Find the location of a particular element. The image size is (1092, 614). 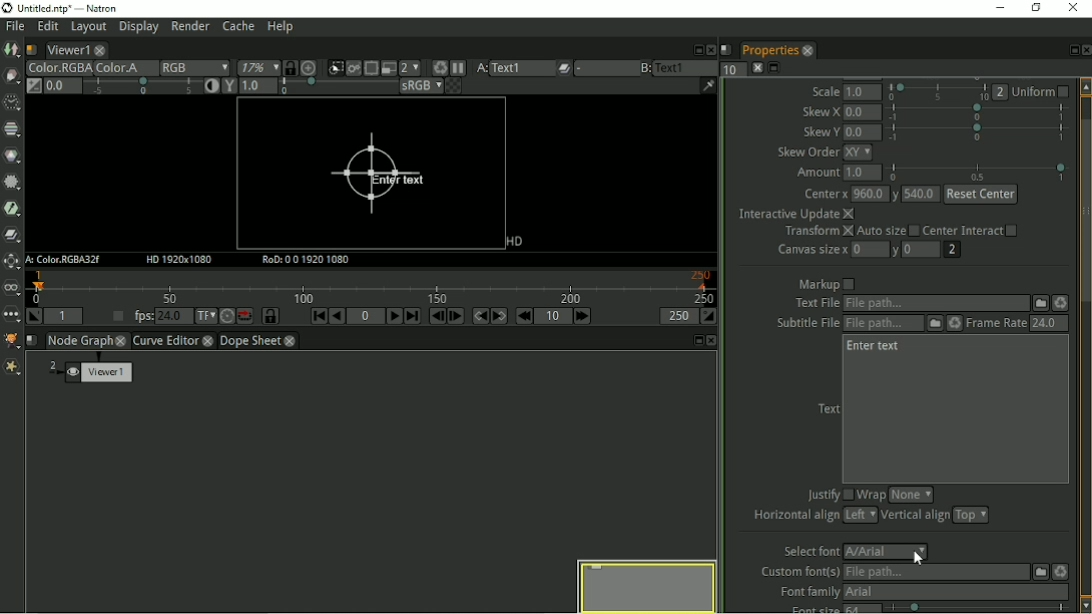

1.0 is located at coordinates (865, 92).